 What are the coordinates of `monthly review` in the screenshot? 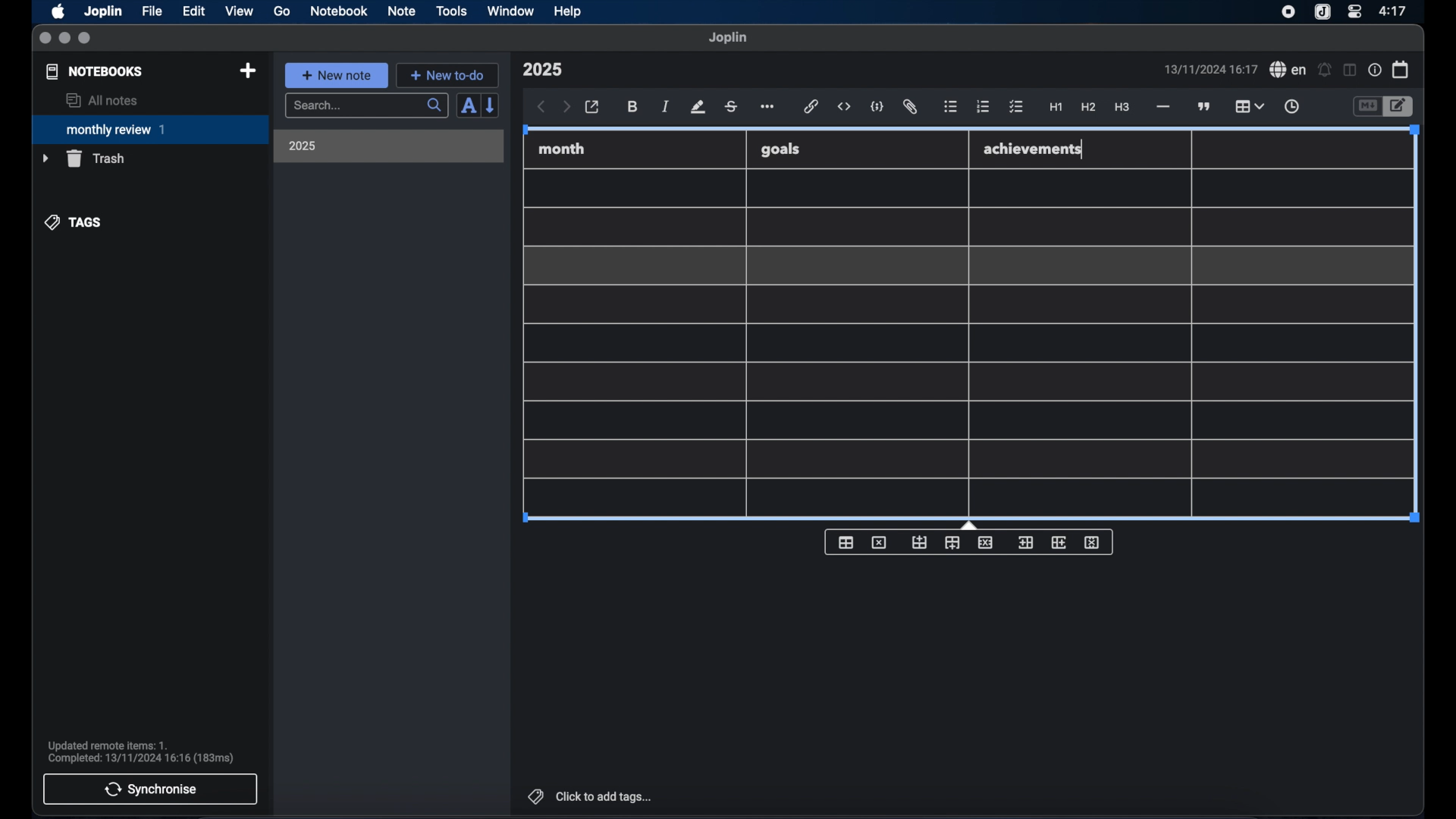 It's located at (150, 128).